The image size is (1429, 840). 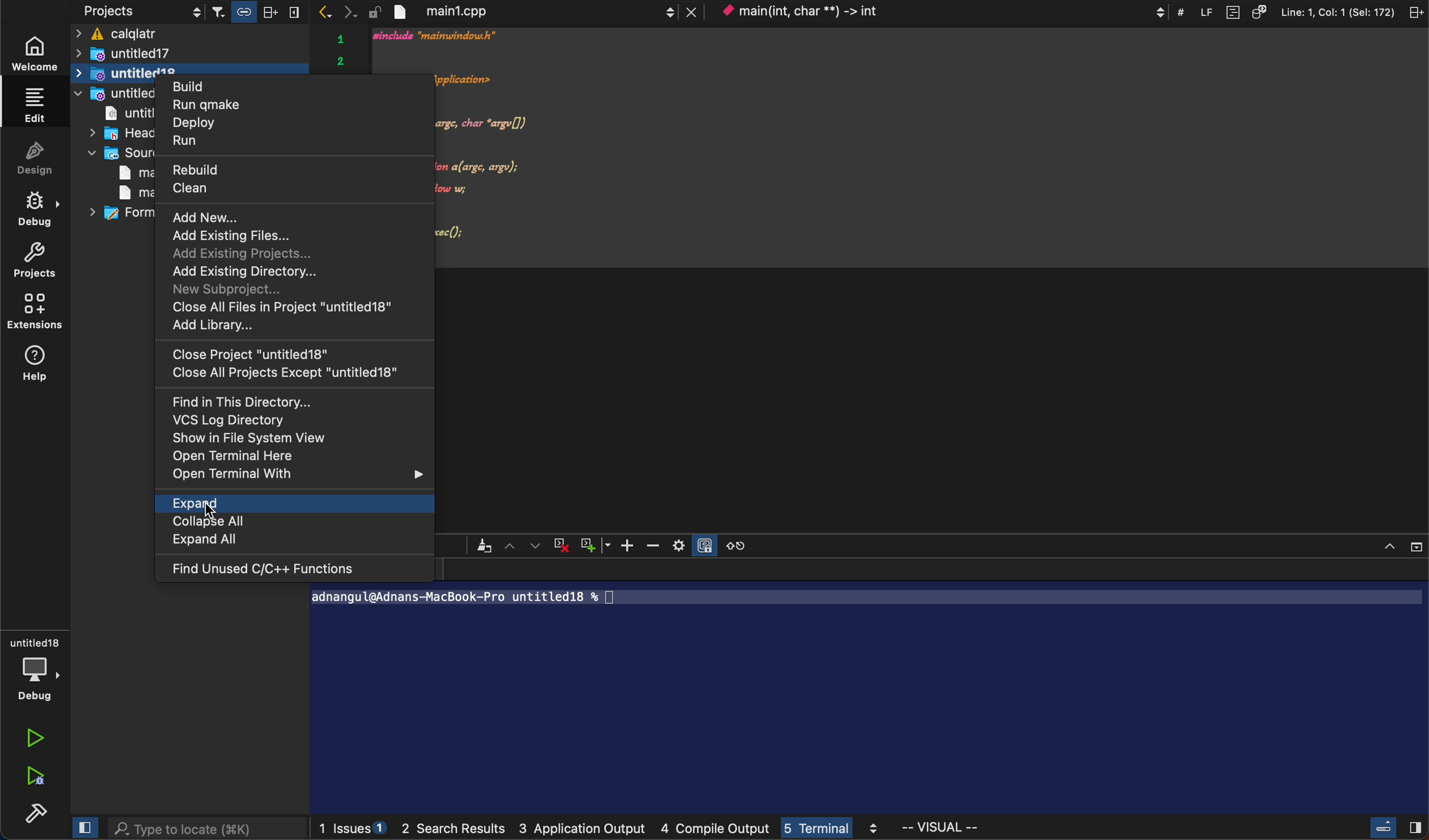 I want to click on close slidebar, so click(x=1394, y=829).